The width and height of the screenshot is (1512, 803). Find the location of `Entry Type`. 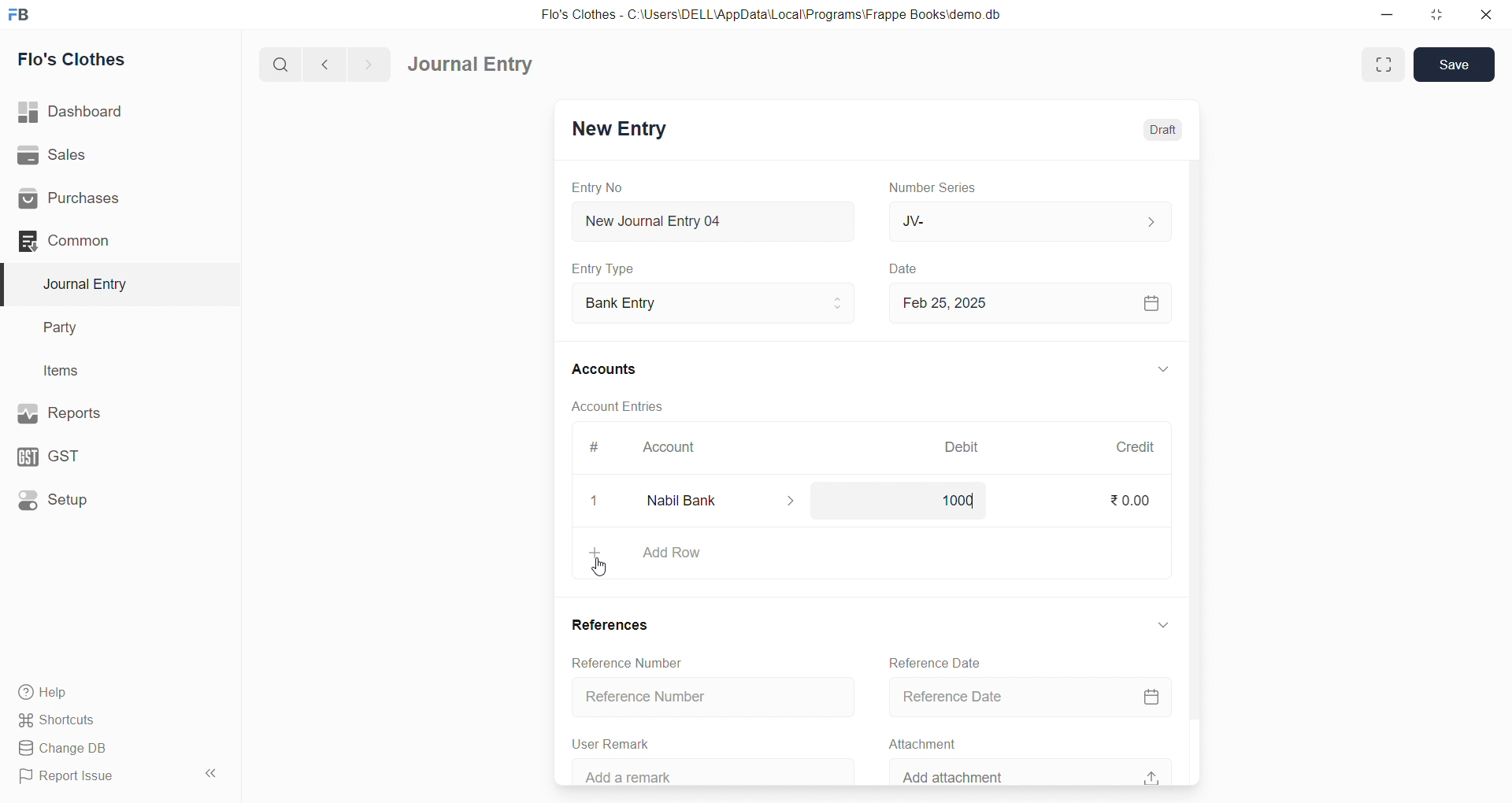

Entry Type is located at coordinates (603, 268).